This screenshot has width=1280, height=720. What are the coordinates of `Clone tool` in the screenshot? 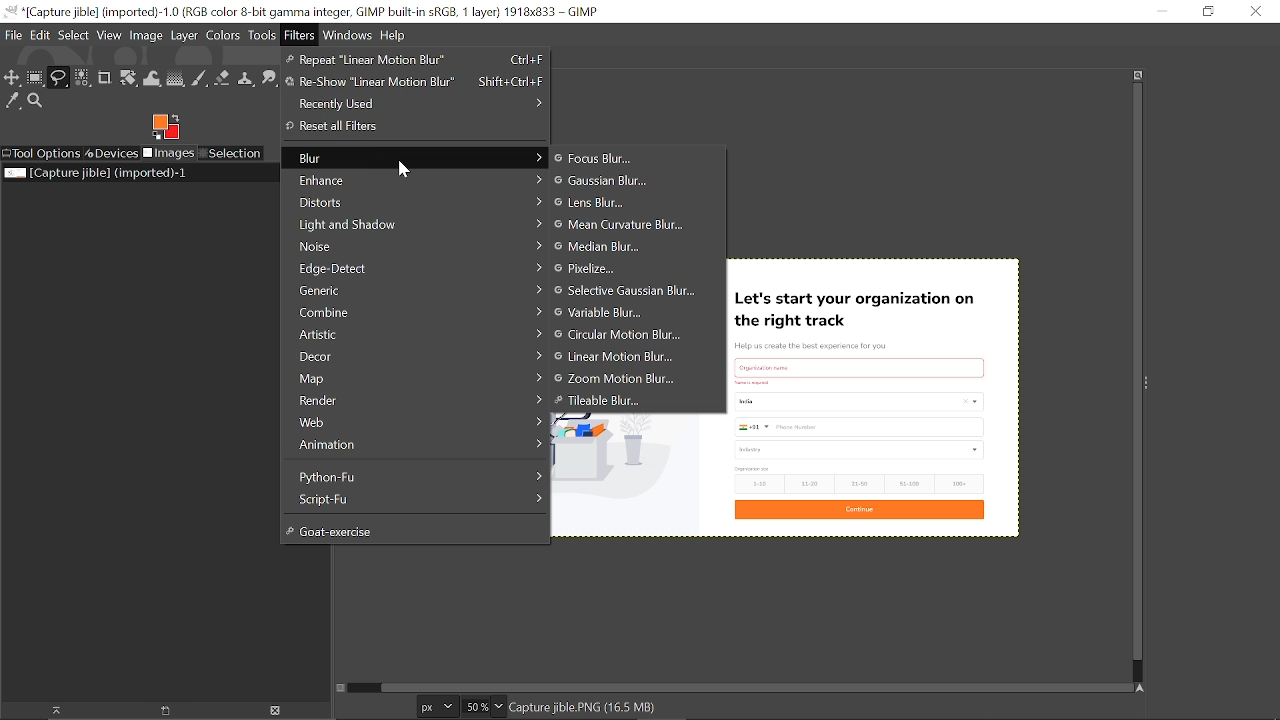 It's located at (245, 80).